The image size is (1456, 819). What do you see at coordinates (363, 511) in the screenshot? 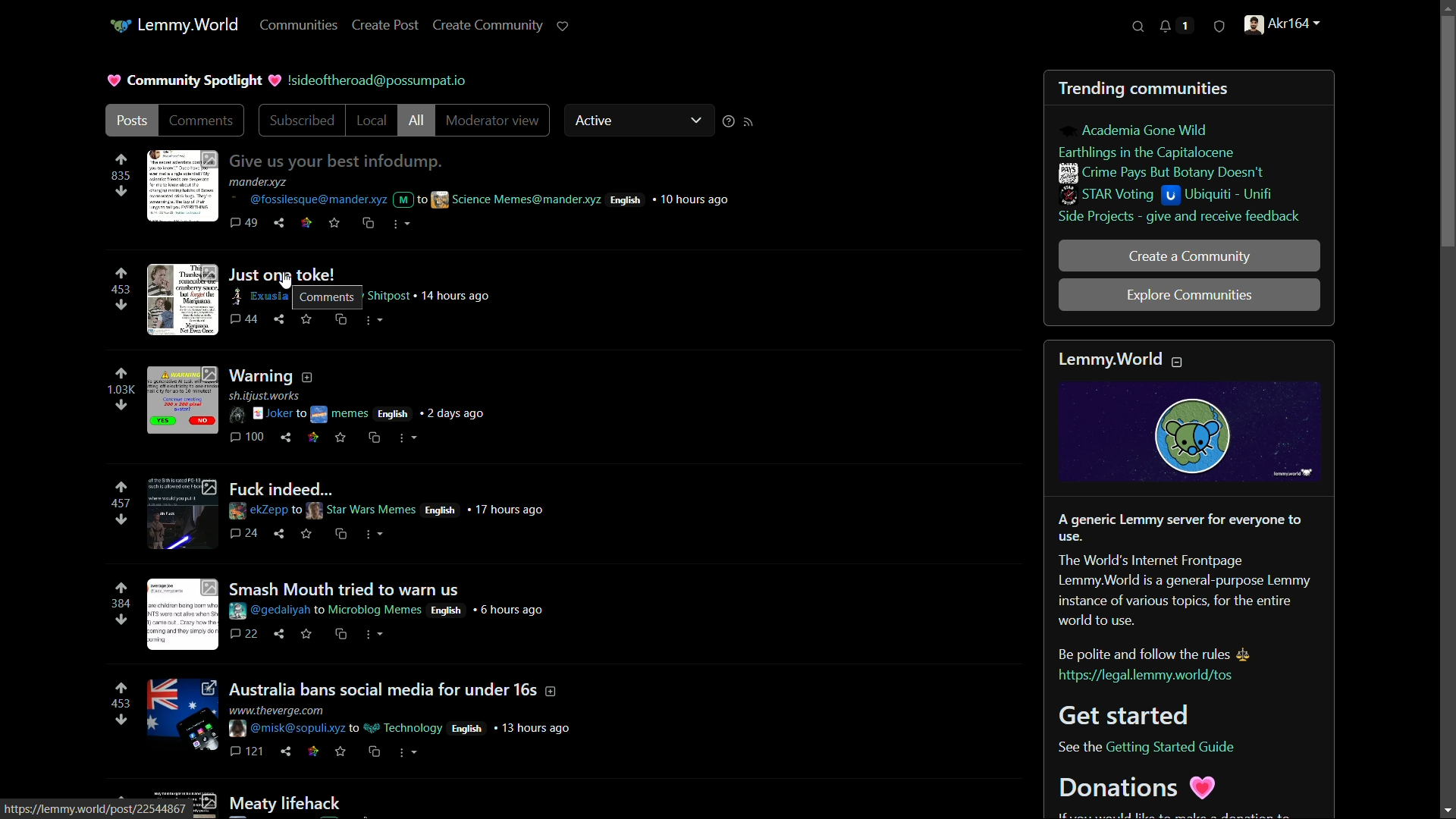
I see `Star wars memes` at bounding box center [363, 511].